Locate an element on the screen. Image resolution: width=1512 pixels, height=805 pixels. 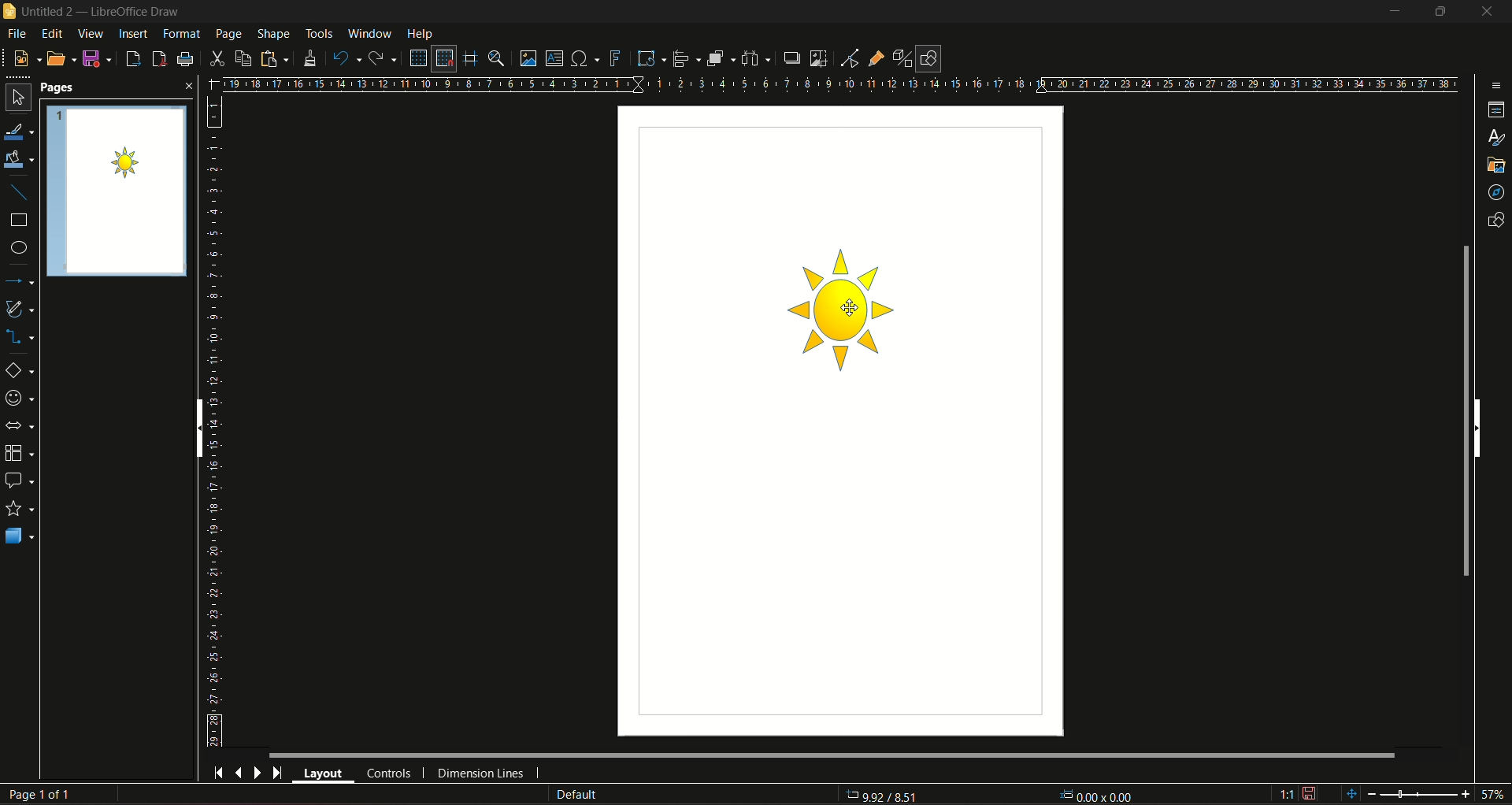
ellipse is located at coordinates (20, 249).